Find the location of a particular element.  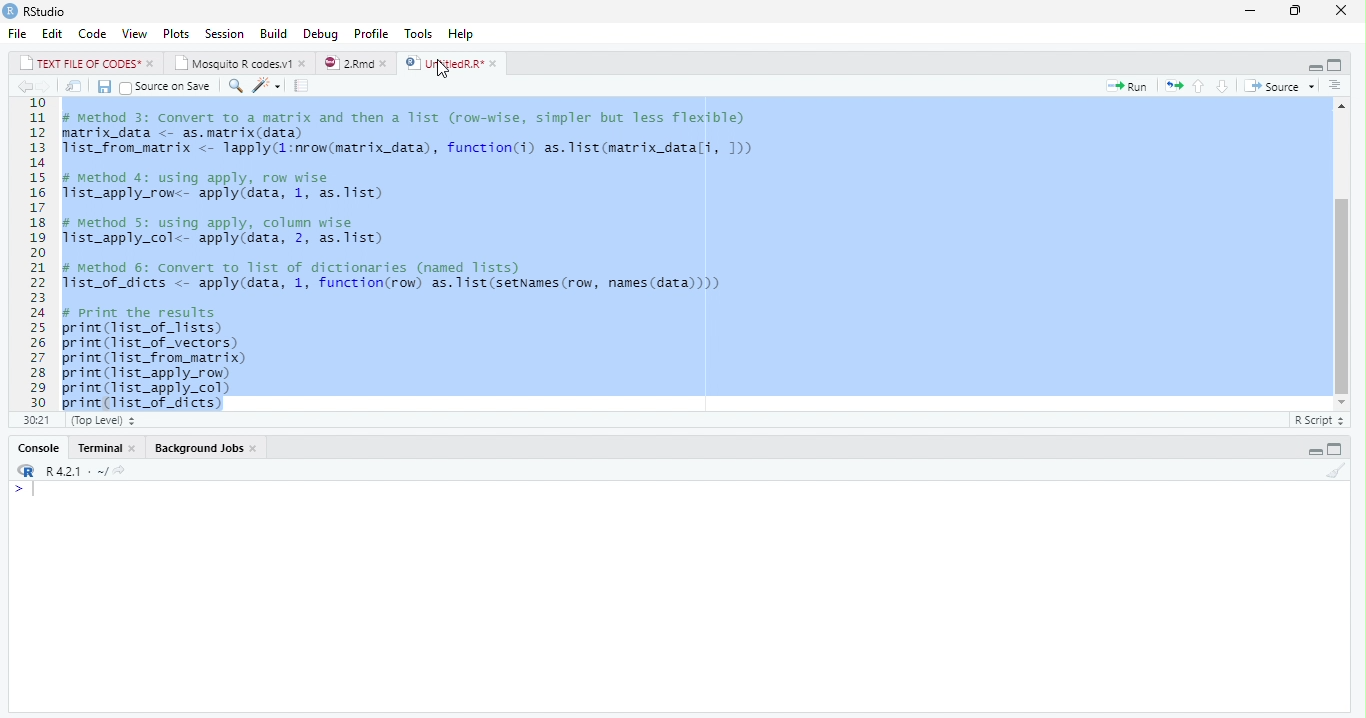

move top is located at coordinates (1342, 107).